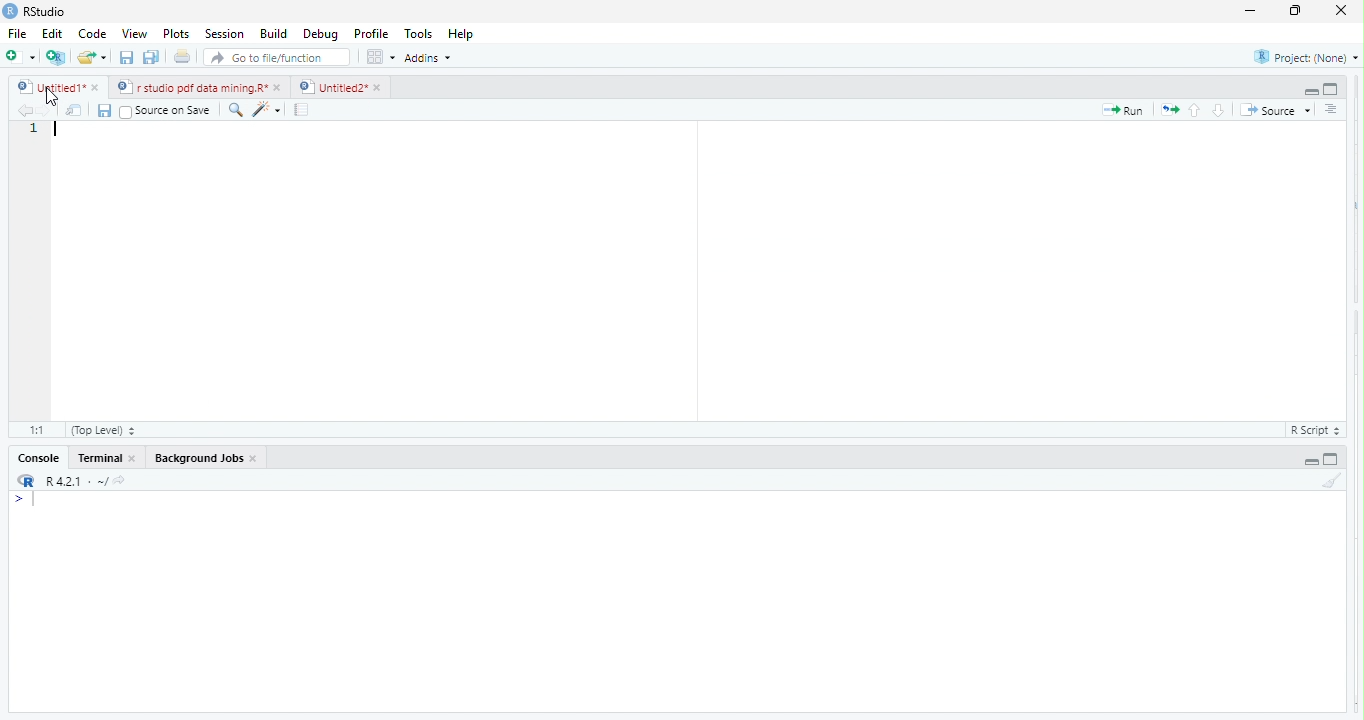  What do you see at coordinates (53, 33) in the screenshot?
I see `Edit` at bounding box center [53, 33].